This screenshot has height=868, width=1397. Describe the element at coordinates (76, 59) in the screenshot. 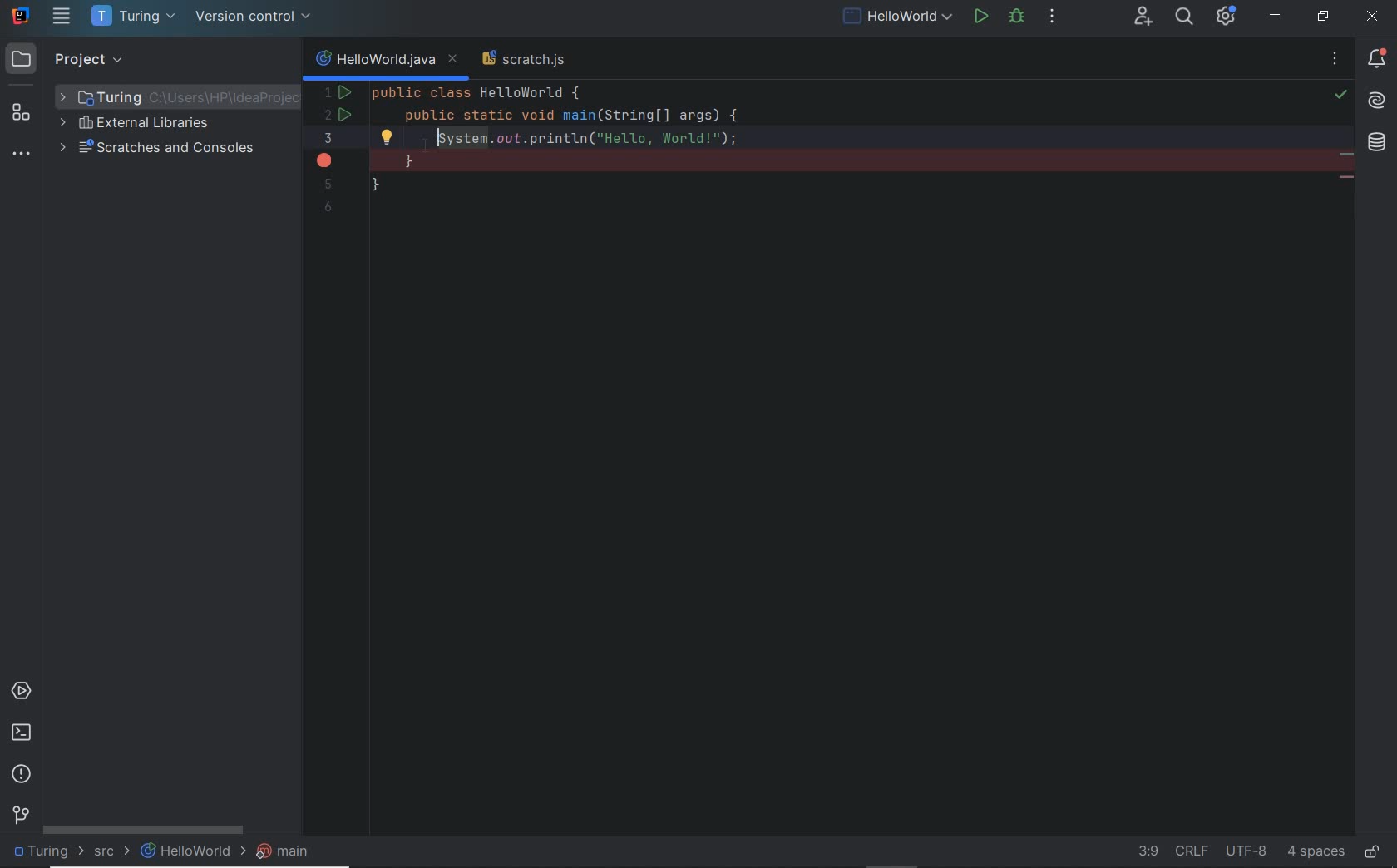

I see `project` at that location.